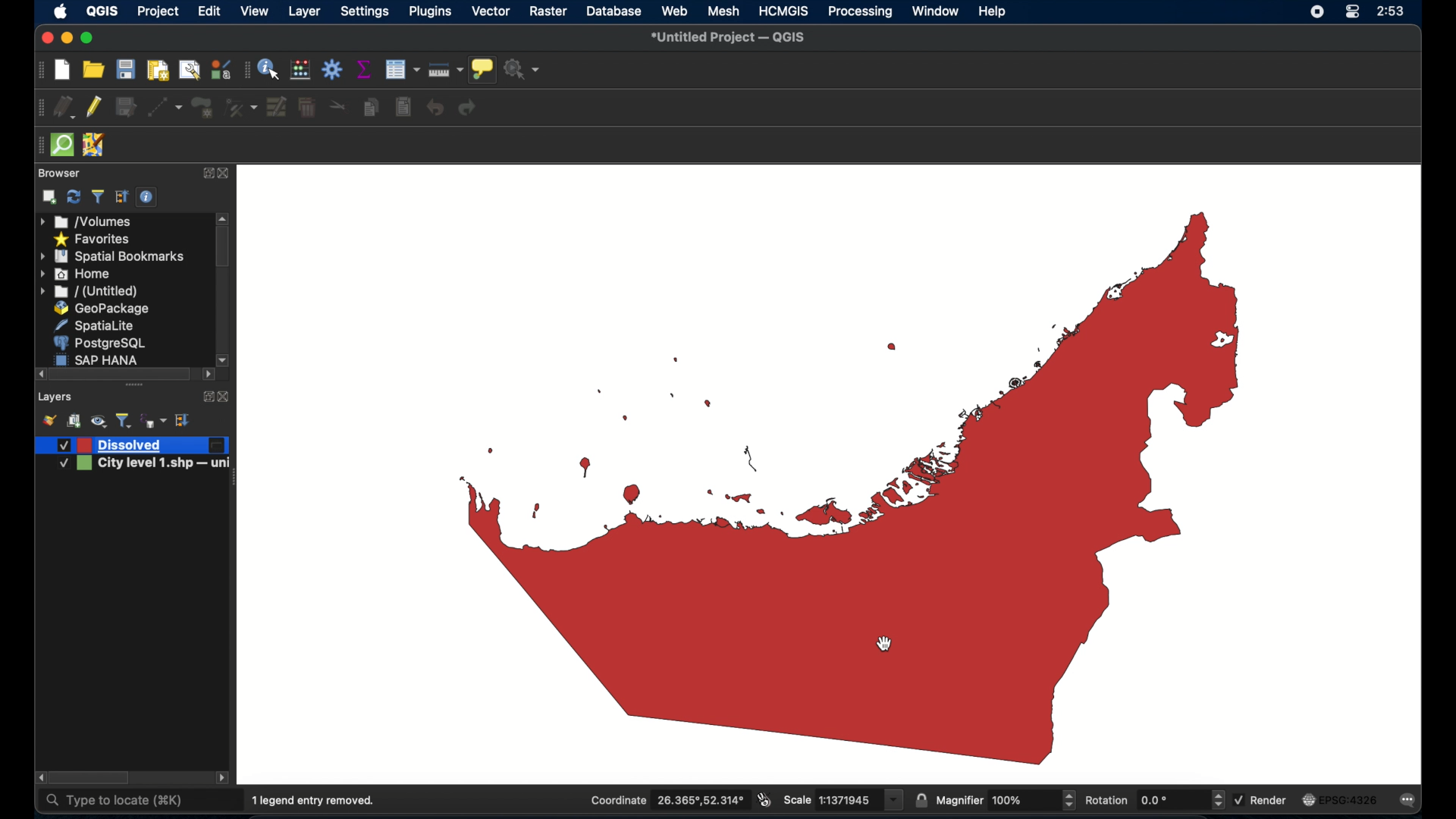 Image resolution: width=1456 pixels, height=819 pixels. Describe the element at coordinates (674, 11) in the screenshot. I see `web` at that location.